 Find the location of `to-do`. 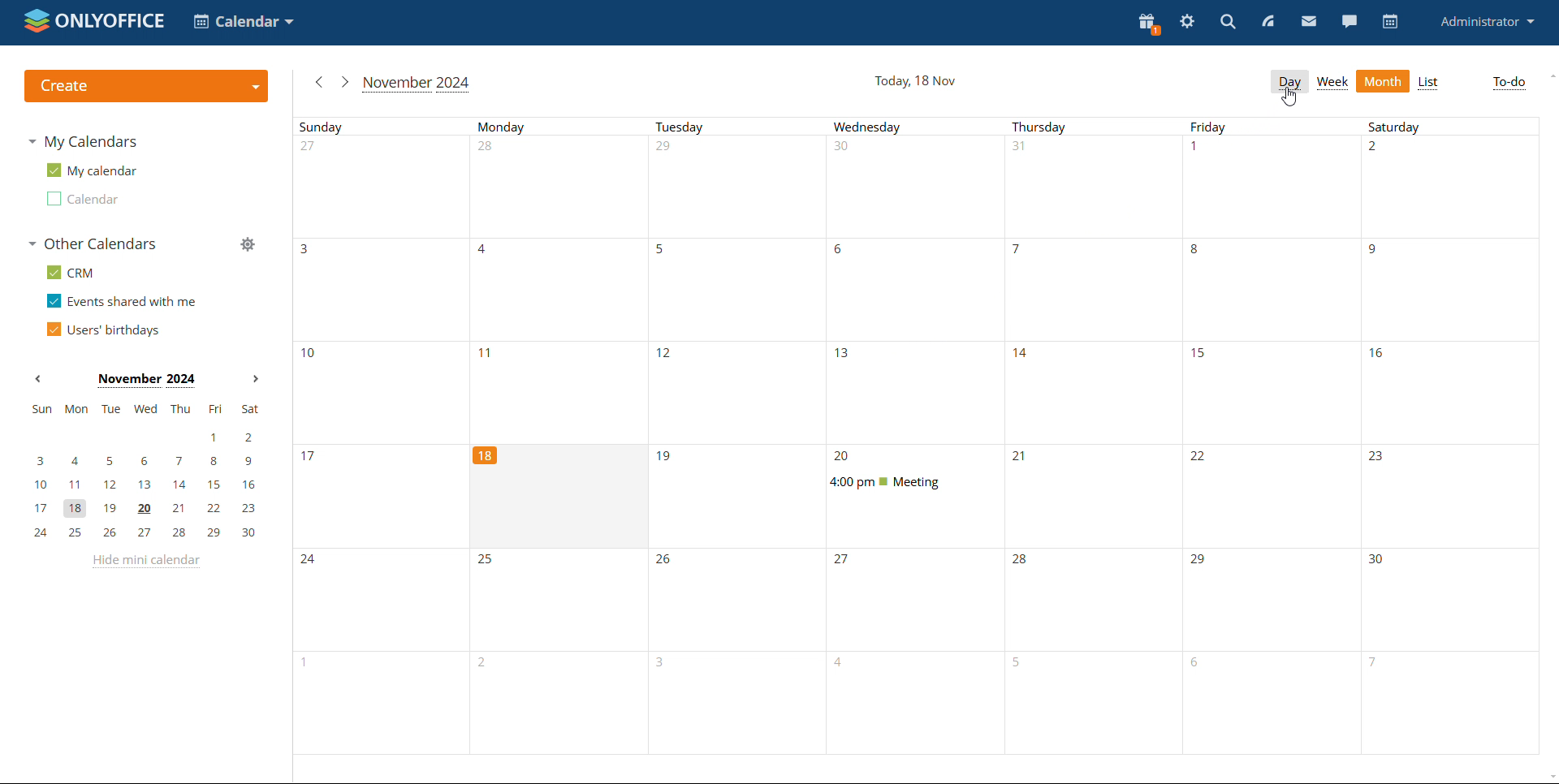

to-do is located at coordinates (1509, 81).